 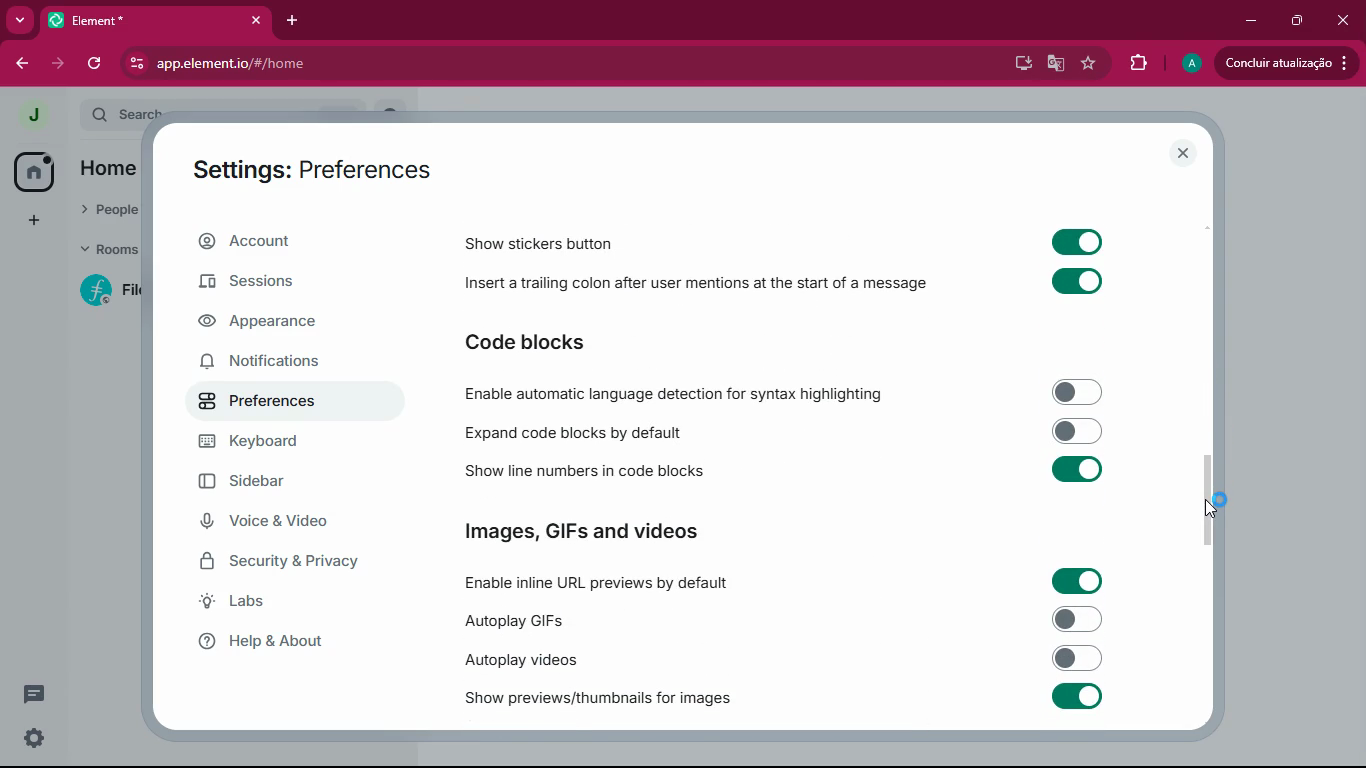 I want to click on Keyboard, so click(x=271, y=442).